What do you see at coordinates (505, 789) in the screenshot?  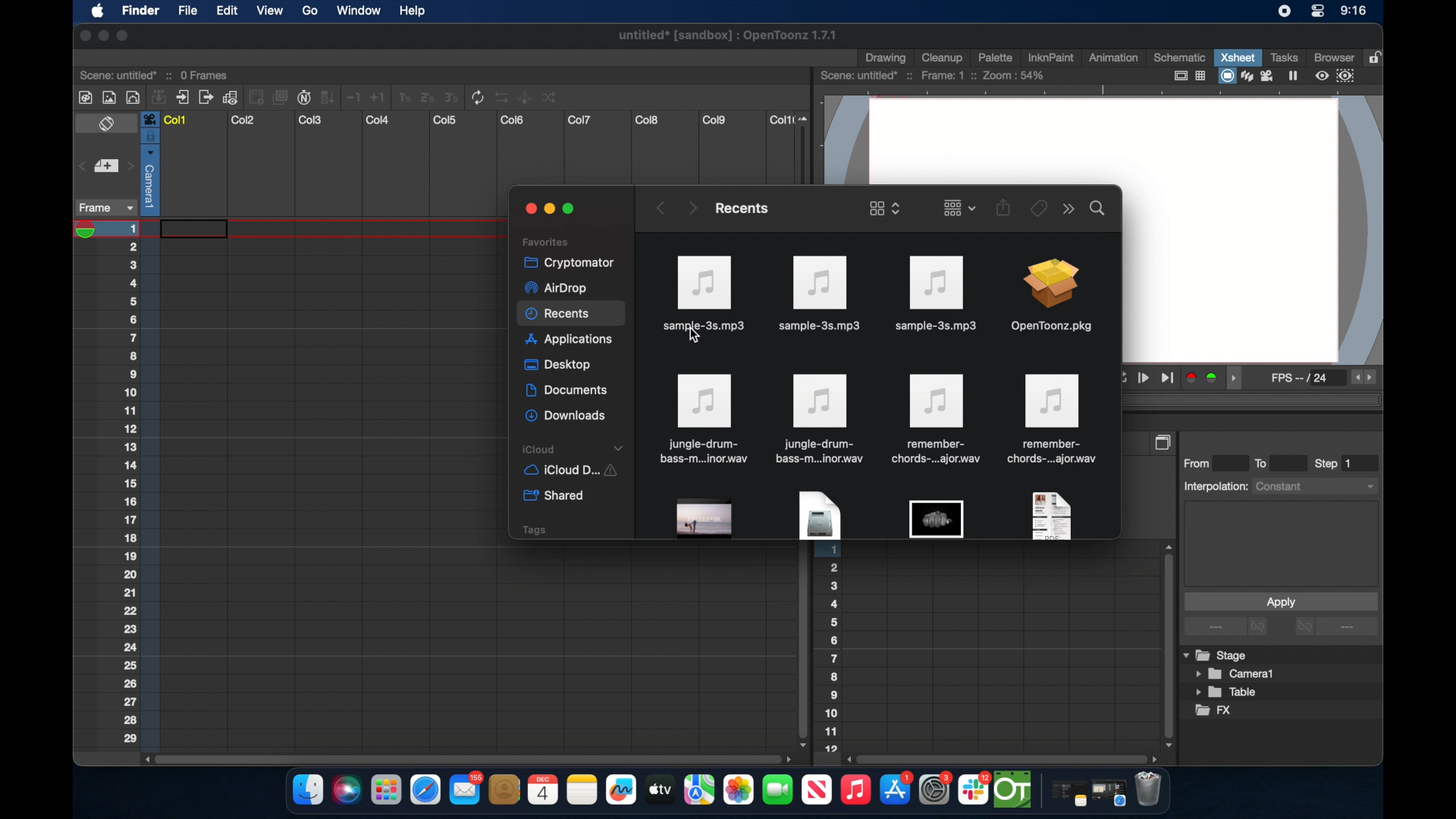 I see `contacts` at bounding box center [505, 789].